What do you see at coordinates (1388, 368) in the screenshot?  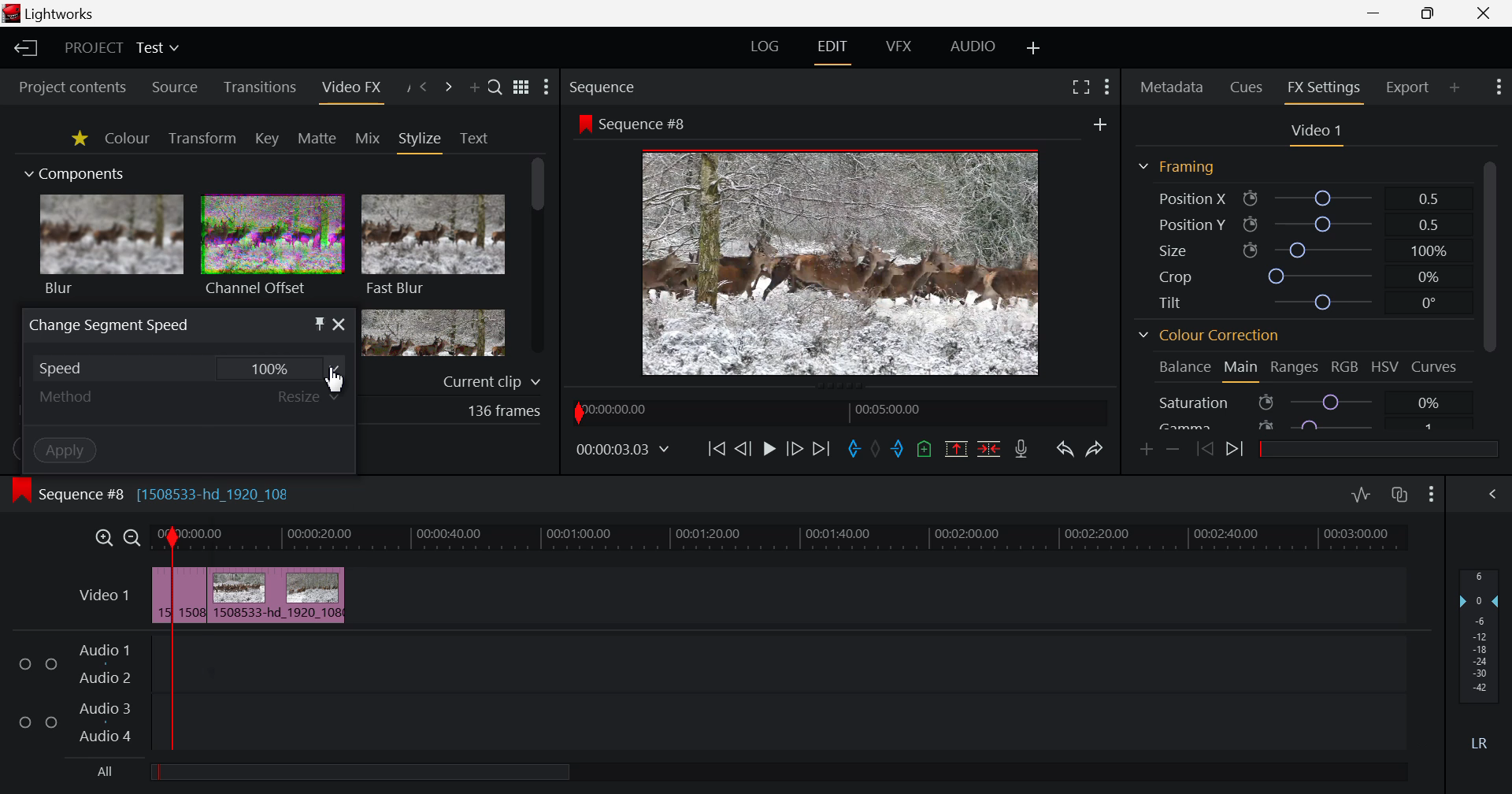 I see `HSV` at bounding box center [1388, 368].